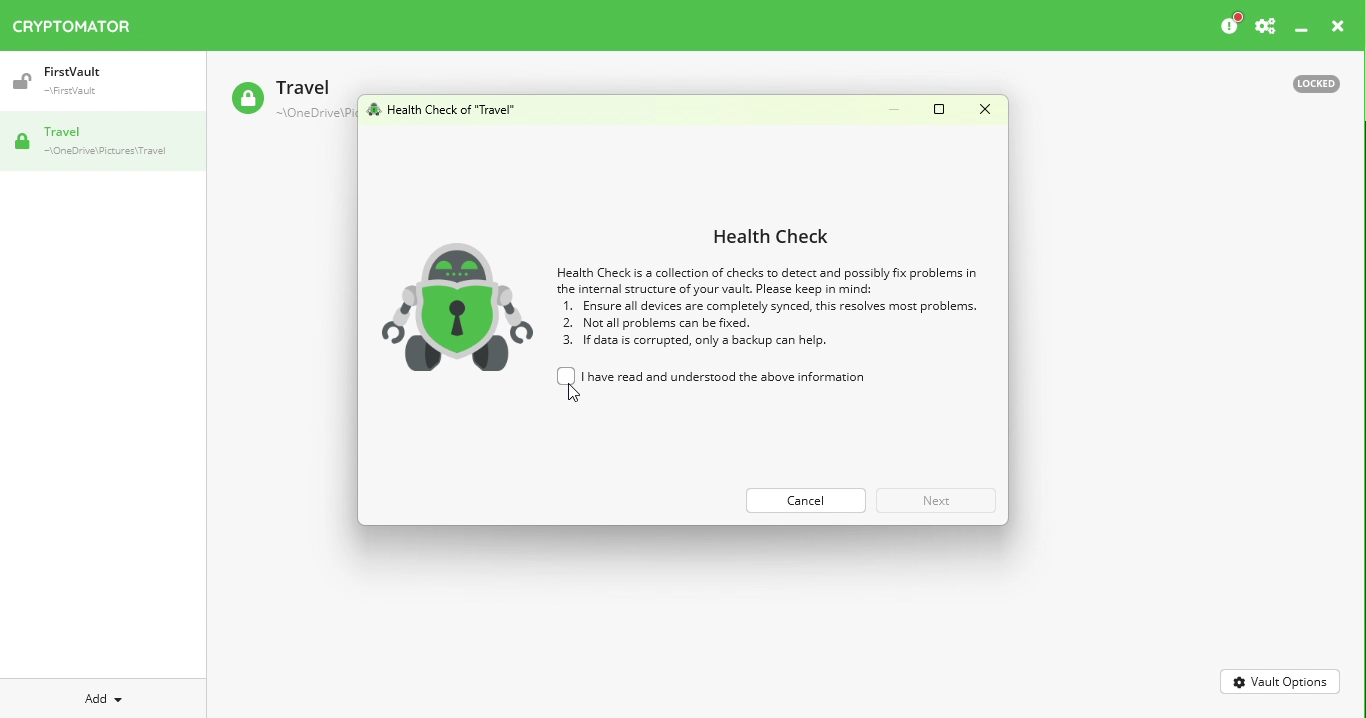 This screenshot has height=718, width=1366. Describe the element at coordinates (934, 500) in the screenshot. I see `Next` at that location.